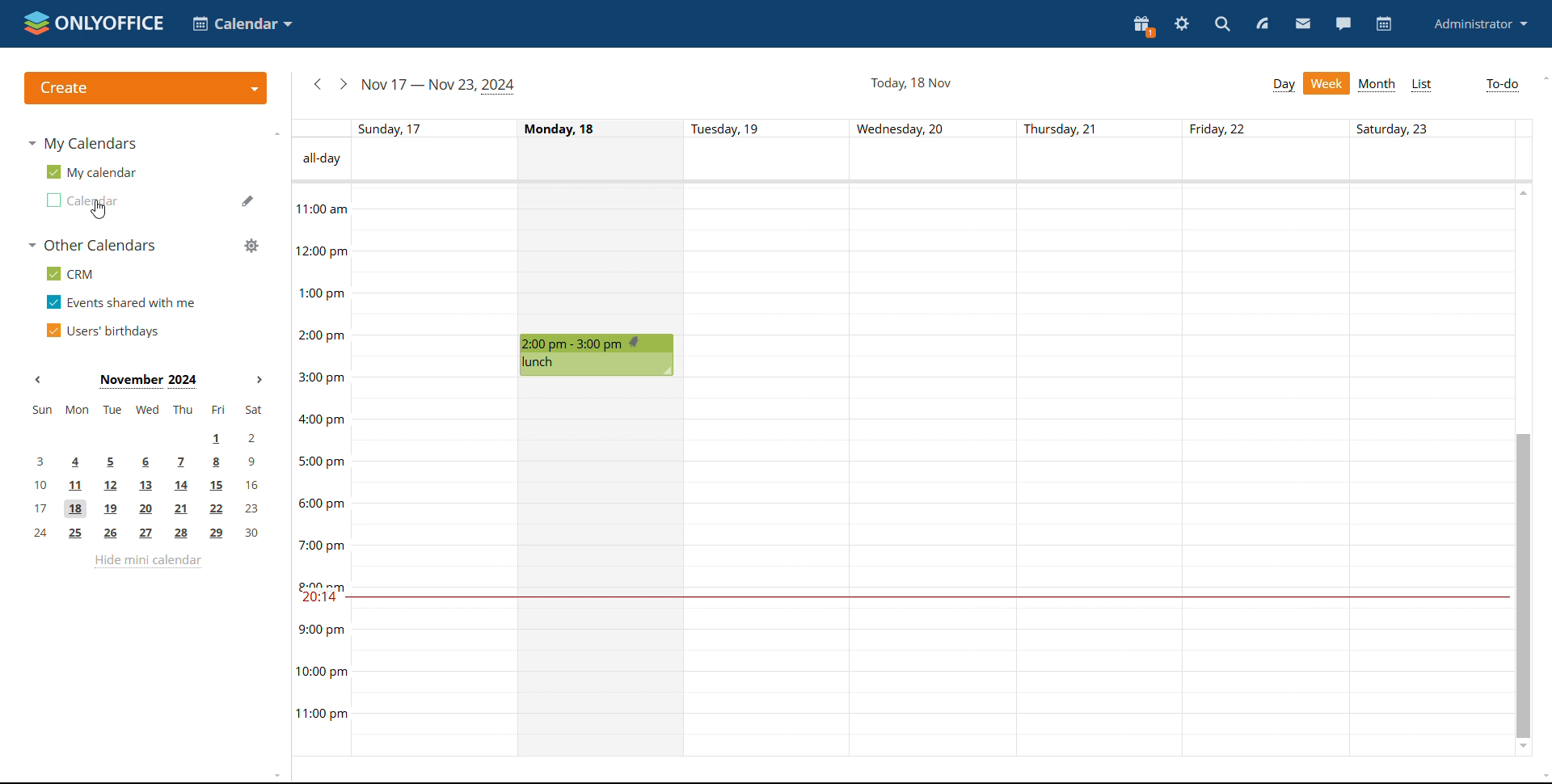 The width and height of the screenshot is (1552, 784). What do you see at coordinates (925, 597) in the screenshot?
I see `current time` at bounding box center [925, 597].